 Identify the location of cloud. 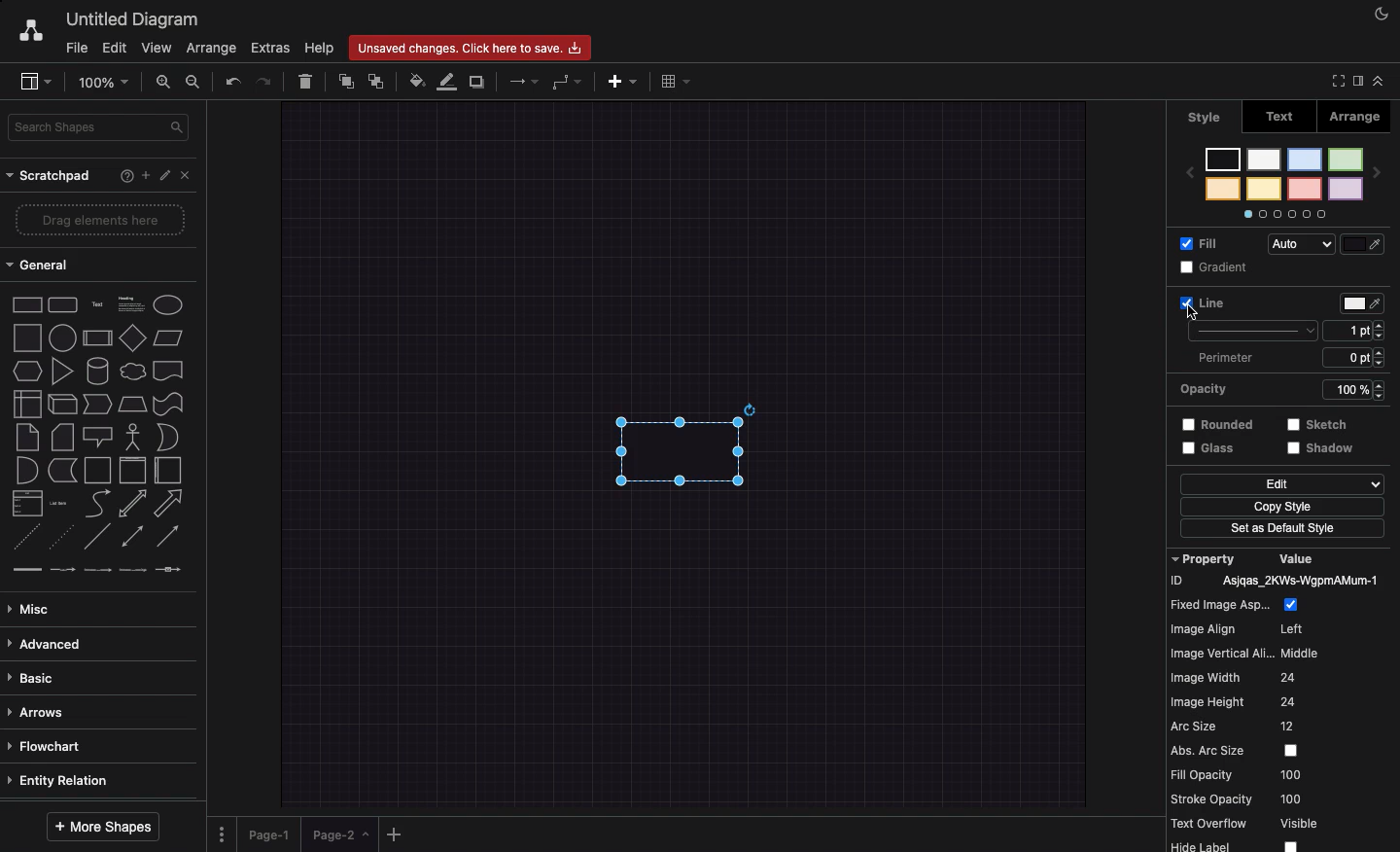
(131, 370).